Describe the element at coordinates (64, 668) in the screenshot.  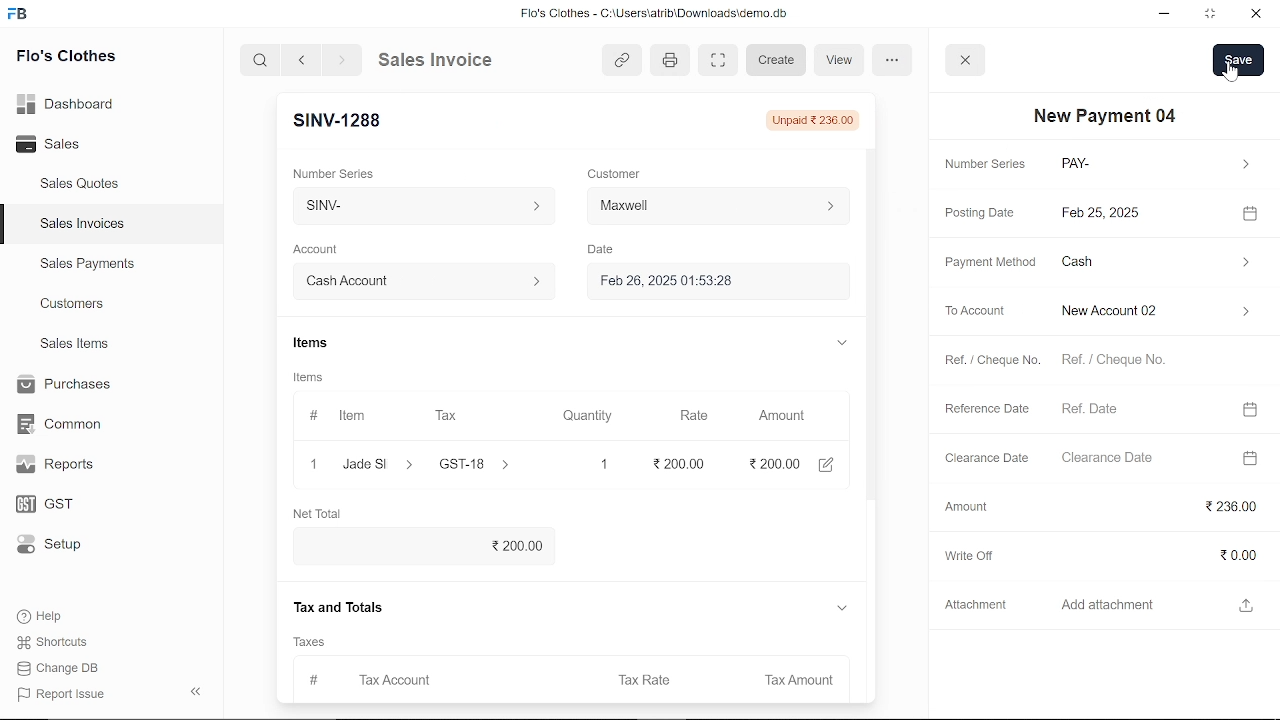
I see `Change DB` at that location.